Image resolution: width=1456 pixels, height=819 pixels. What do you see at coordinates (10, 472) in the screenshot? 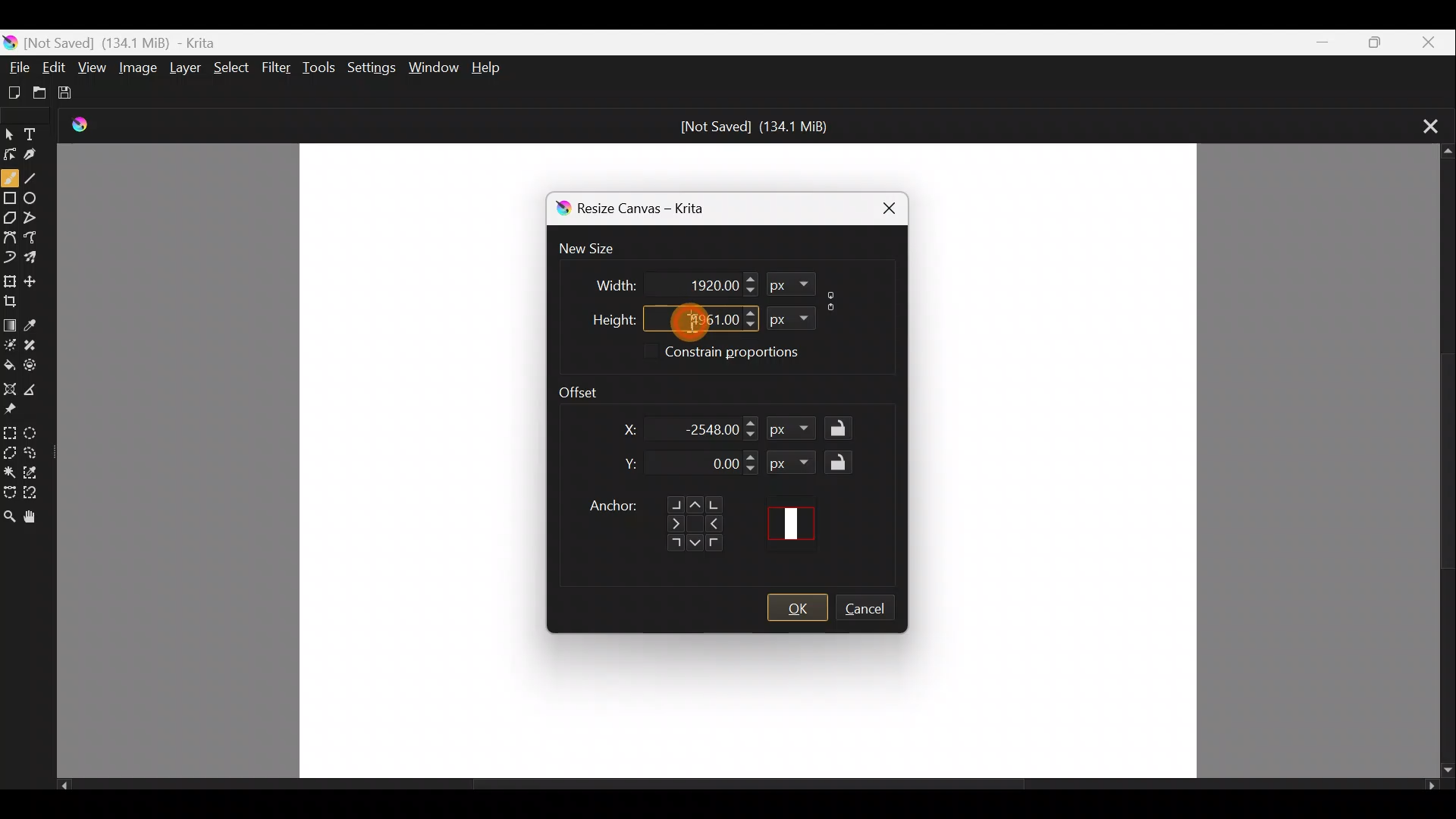
I see `Contiguous selection tool` at bounding box center [10, 472].